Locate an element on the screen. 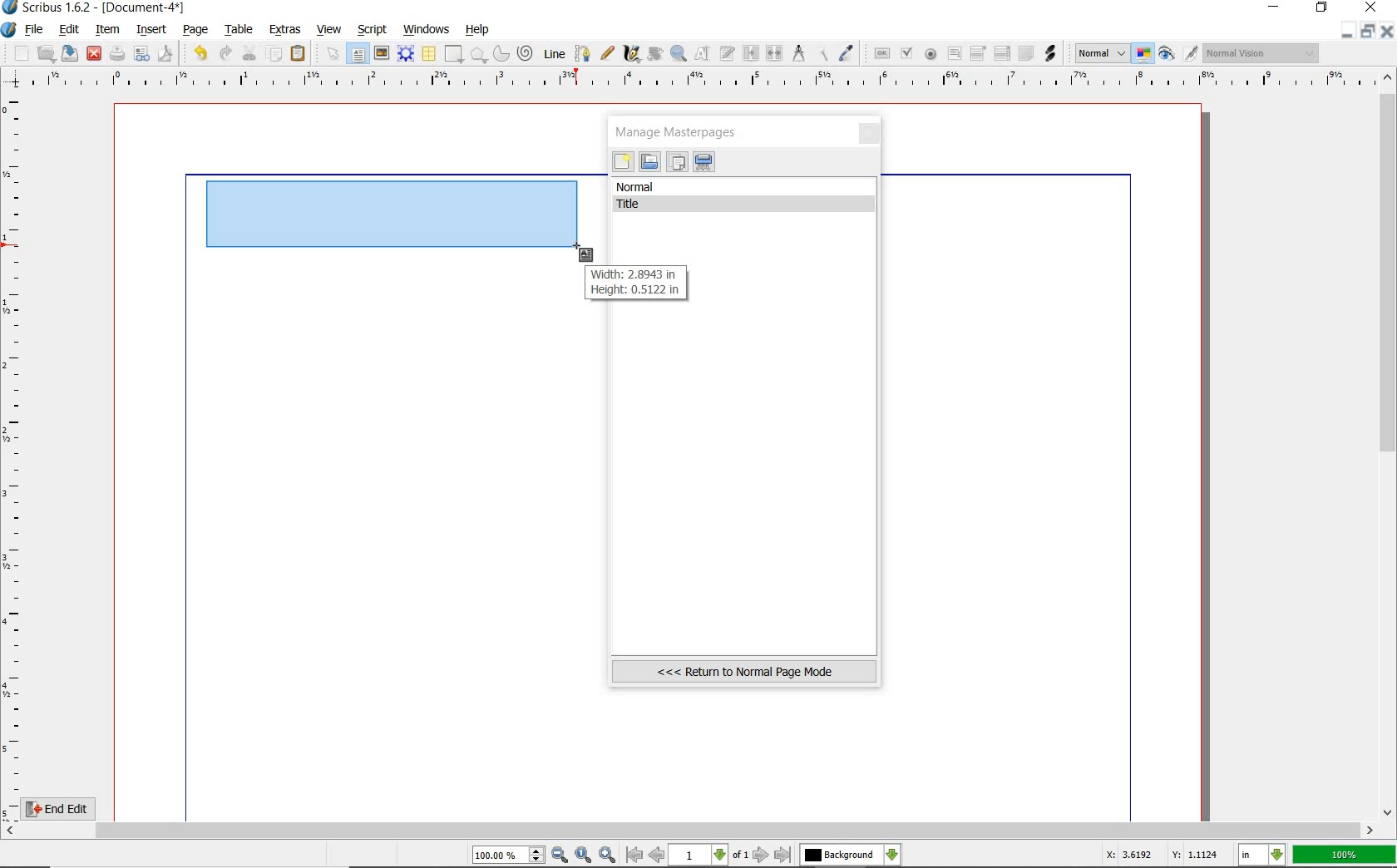 The height and width of the screenshot is (868, 1397). edit text with story editor is located at coordinates (728, 55).